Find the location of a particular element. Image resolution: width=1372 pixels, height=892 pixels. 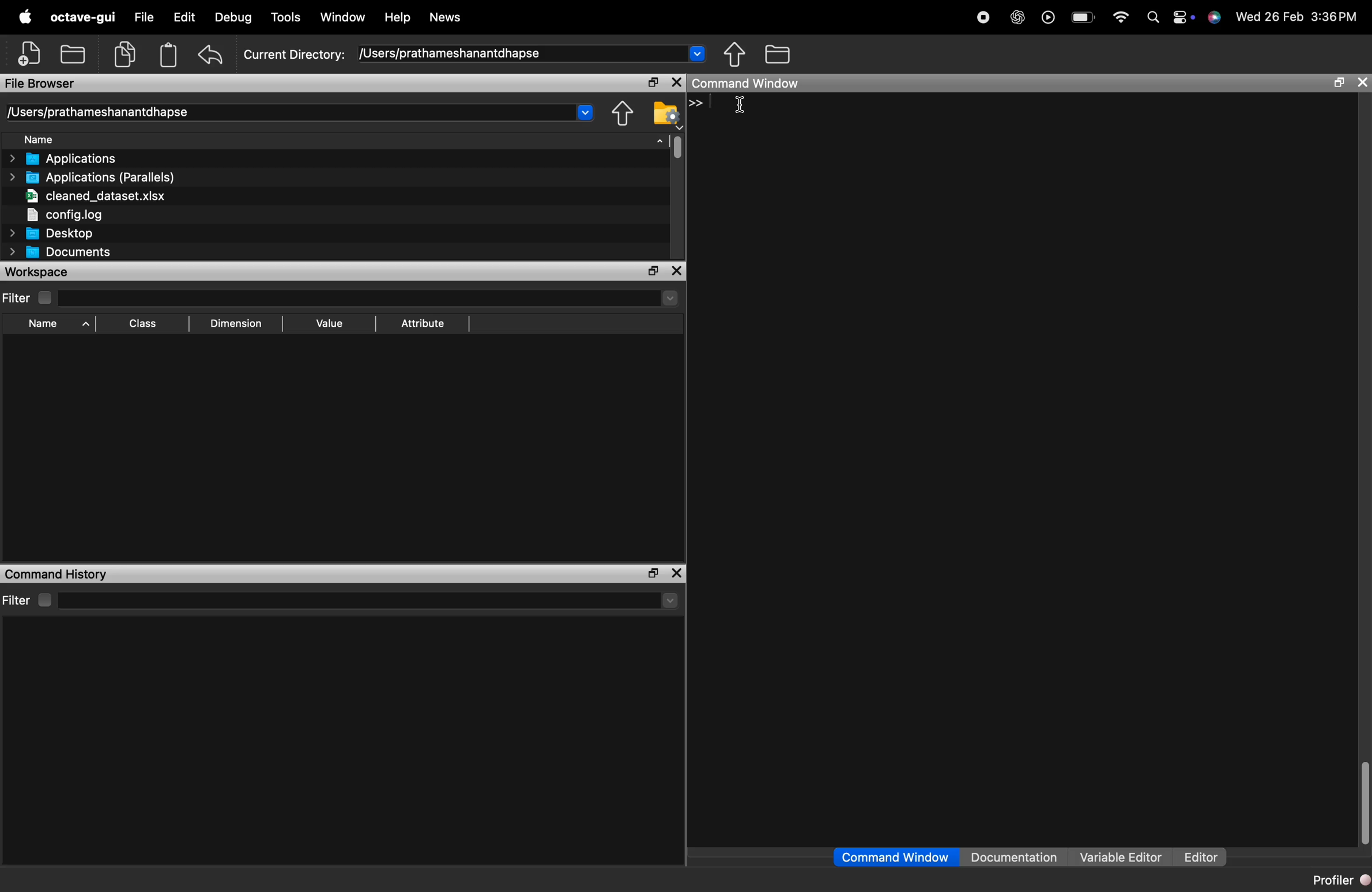

maximize is located at coordinates (1337, 82).